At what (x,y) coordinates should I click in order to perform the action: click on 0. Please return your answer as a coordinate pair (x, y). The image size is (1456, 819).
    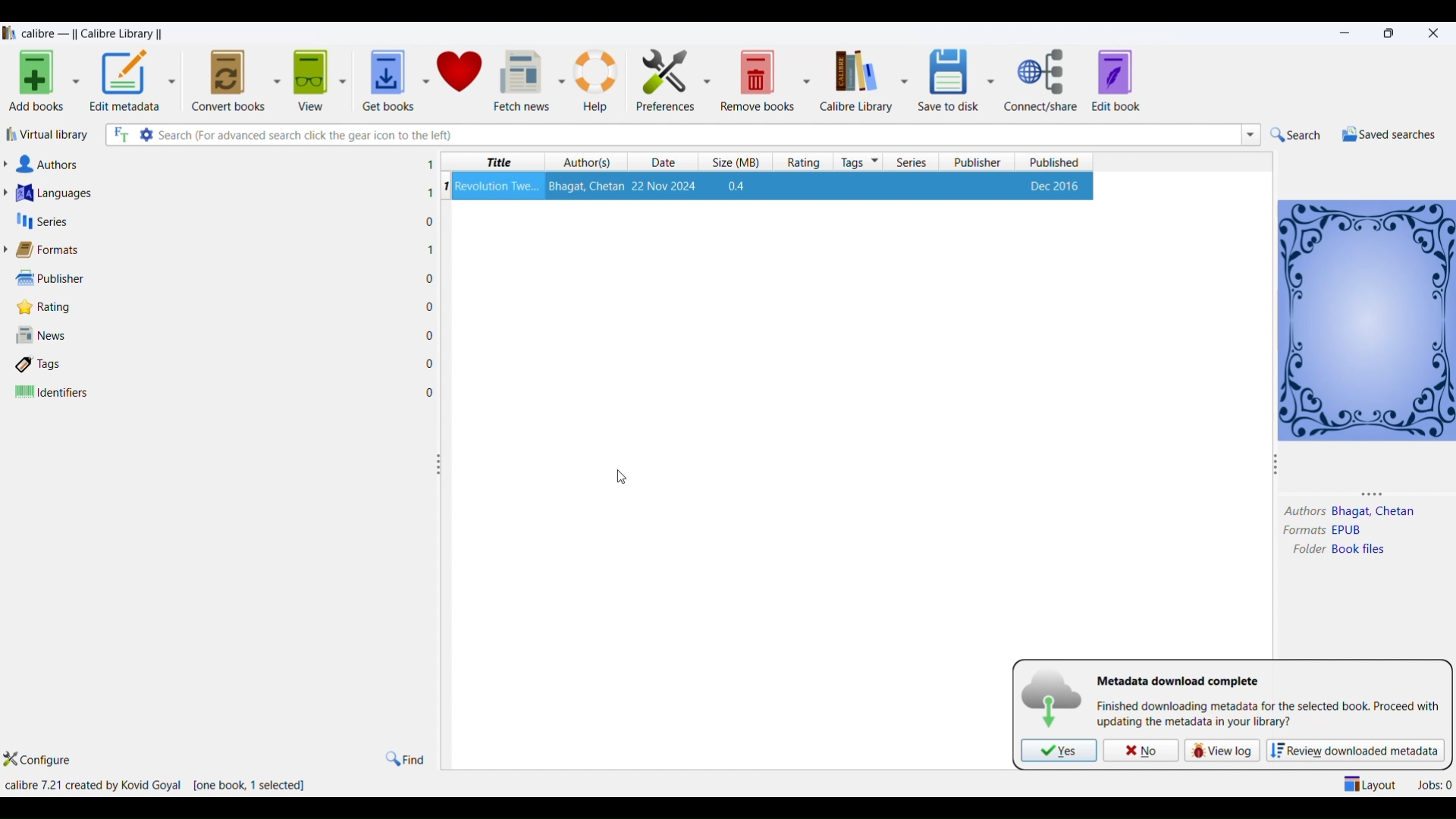
    Looking at the image, I should click on (430, 363).